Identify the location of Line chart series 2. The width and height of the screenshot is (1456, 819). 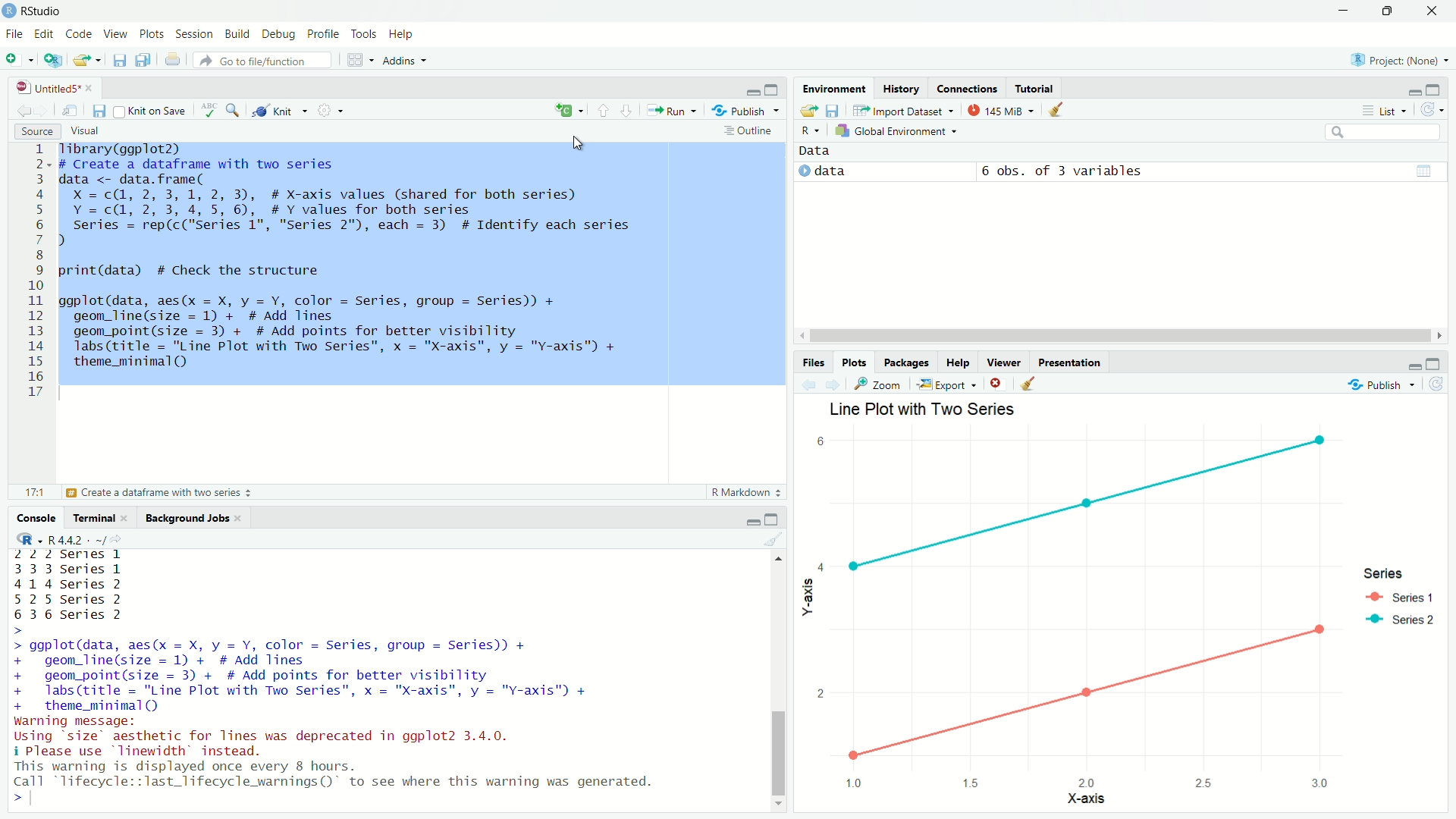
(1084, 705).